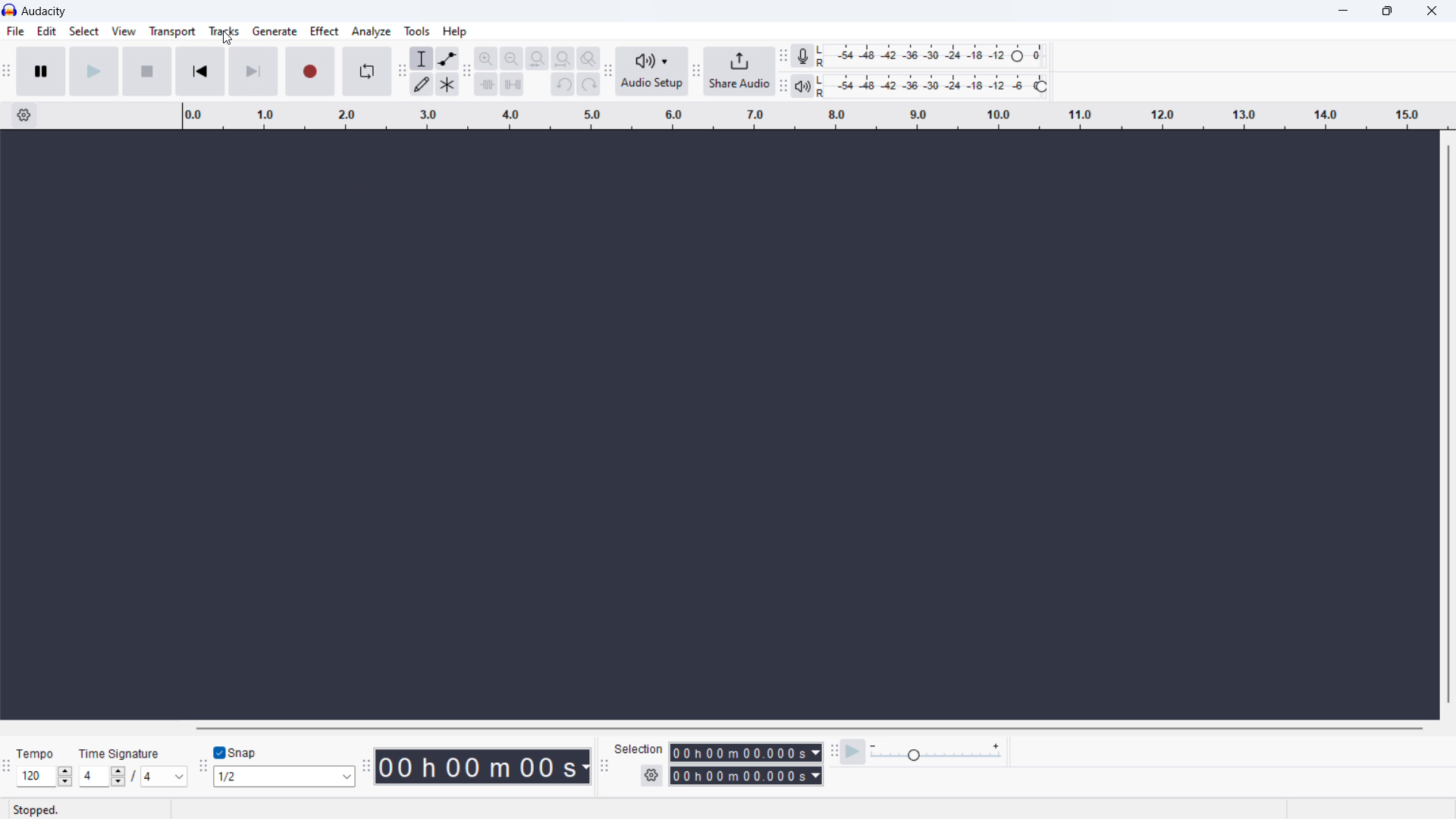 The image size is (1456, 819). Describe the element at coordinates (639, 748) in the screenshot. I see `Selection` at that location.